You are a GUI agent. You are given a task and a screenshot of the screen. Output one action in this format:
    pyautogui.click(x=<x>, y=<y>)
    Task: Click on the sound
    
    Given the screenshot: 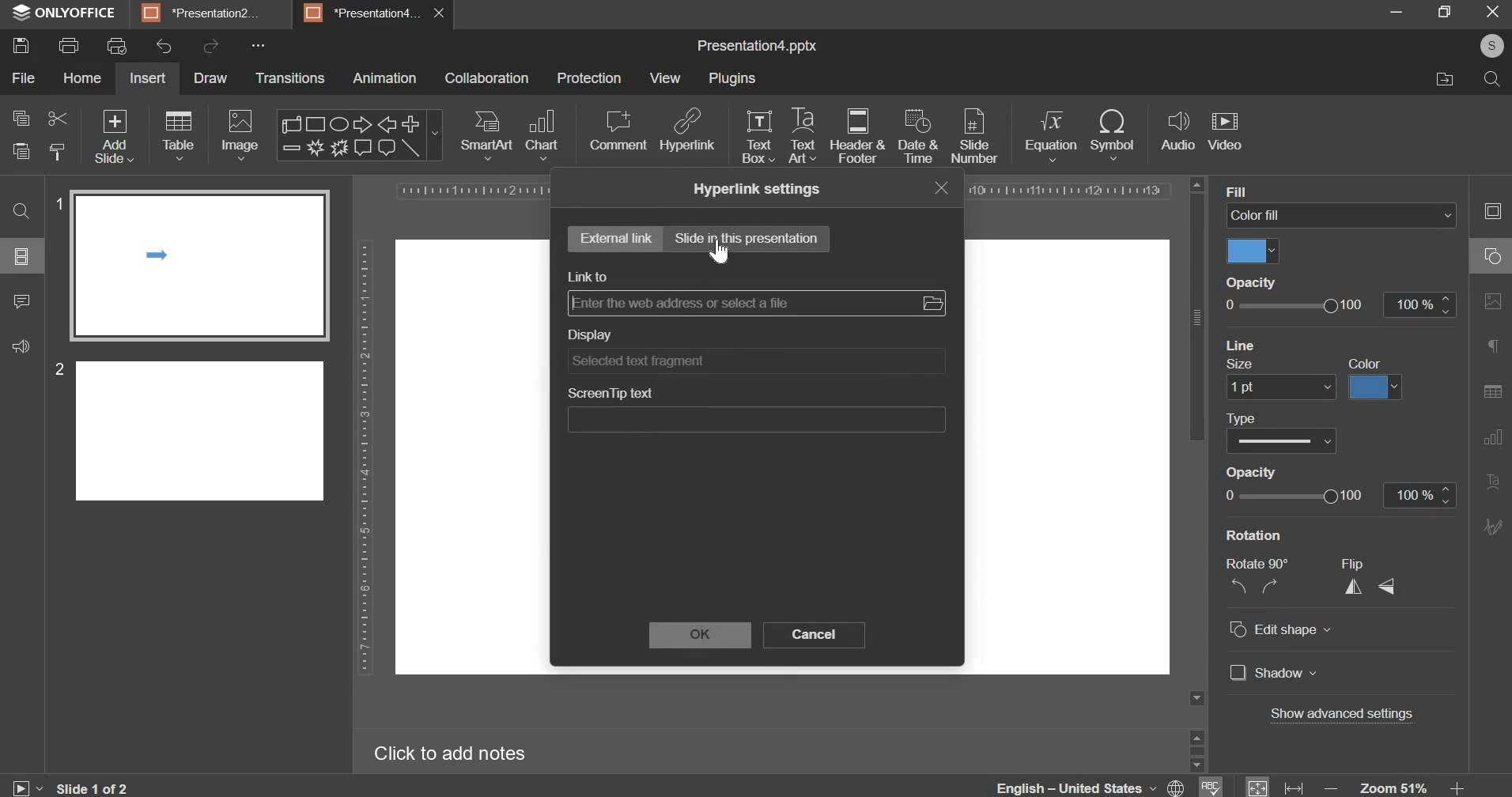 What is the action you would take?
    pyautogui.click(x=21, y=349)
    